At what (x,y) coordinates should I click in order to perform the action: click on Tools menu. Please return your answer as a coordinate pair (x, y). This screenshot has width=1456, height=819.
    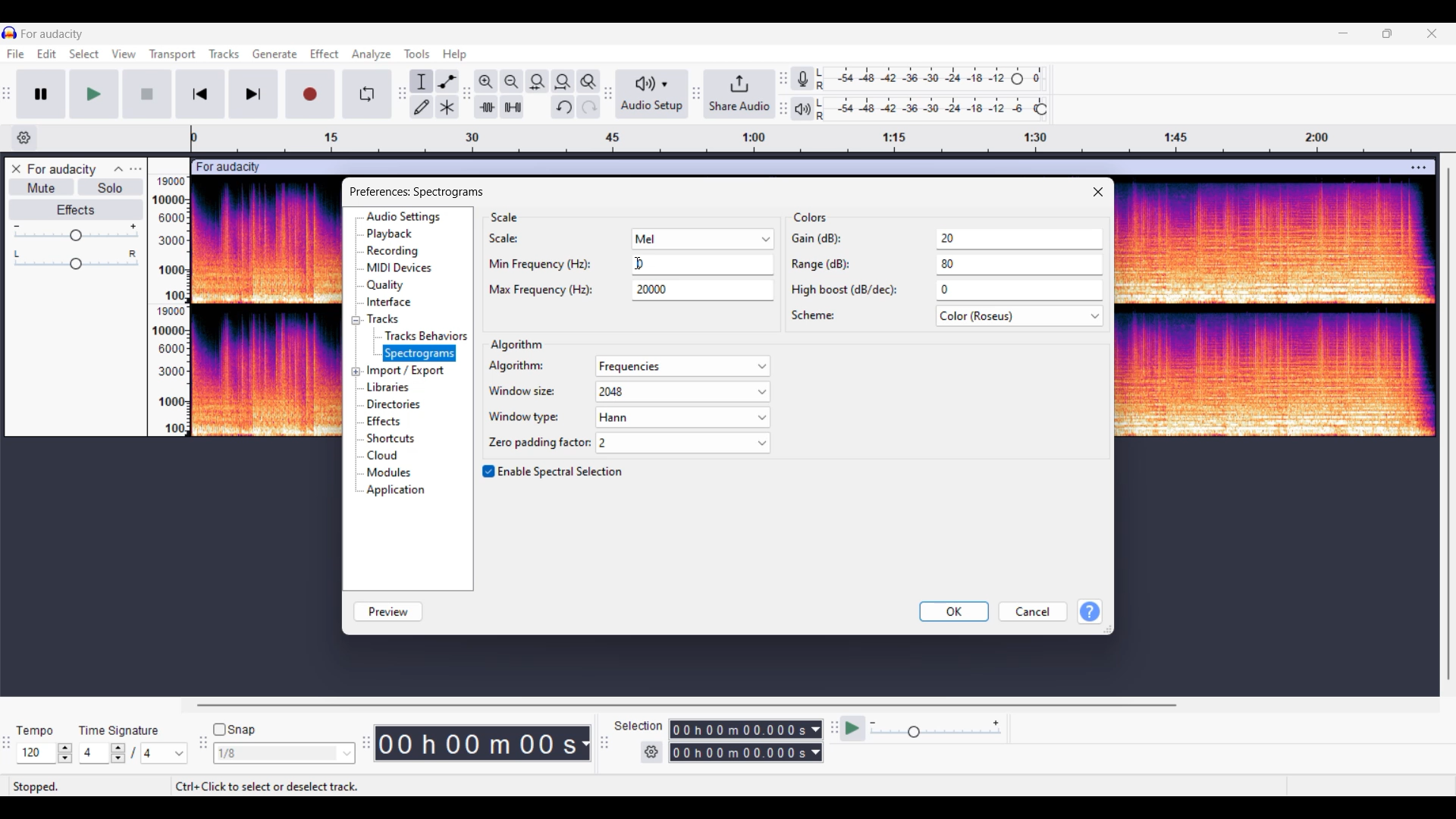
    Looking at the image, I should click on (417, 54).